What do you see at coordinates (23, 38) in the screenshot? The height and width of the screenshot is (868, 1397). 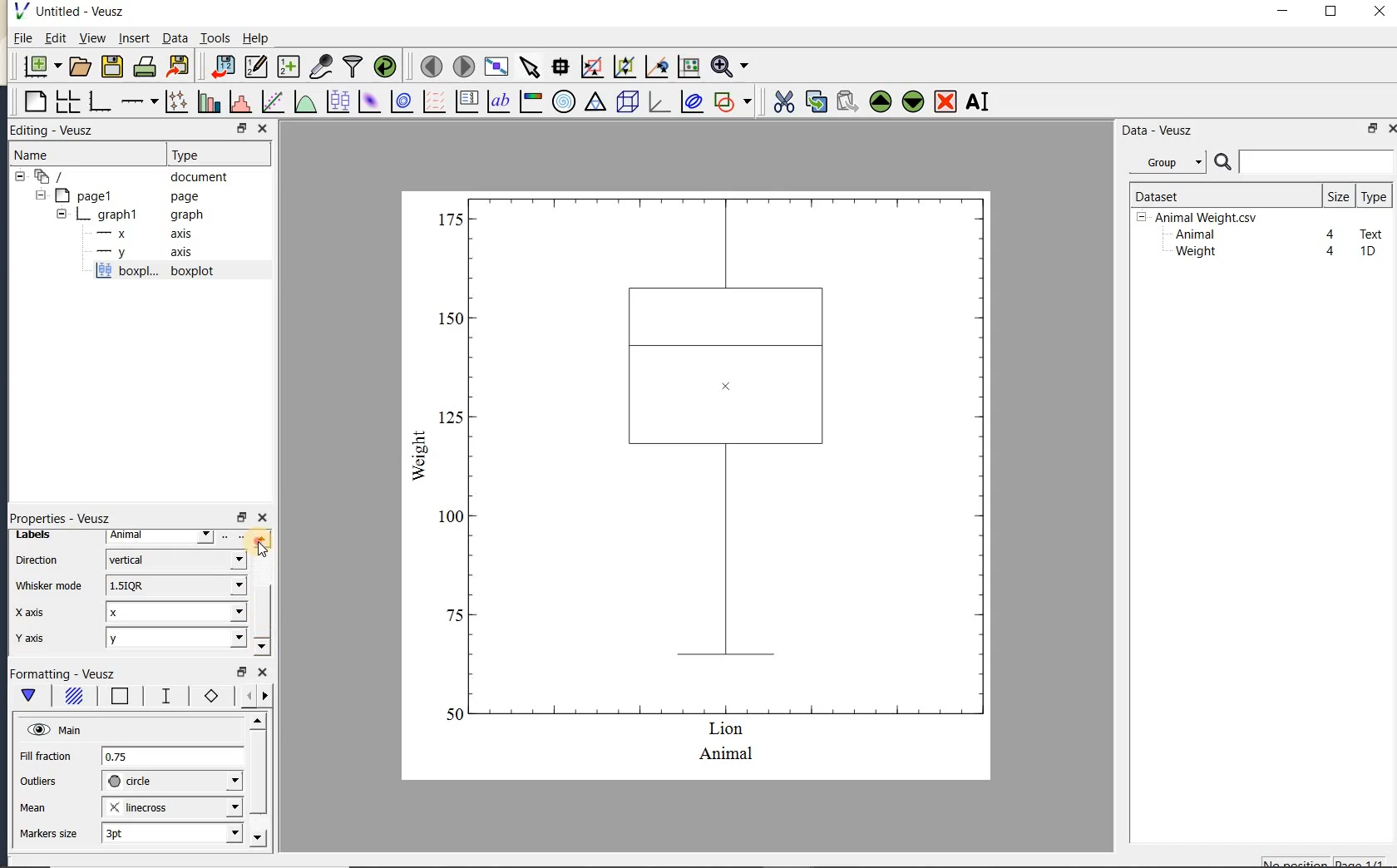 I see `File` at bounding box center [23, 38].